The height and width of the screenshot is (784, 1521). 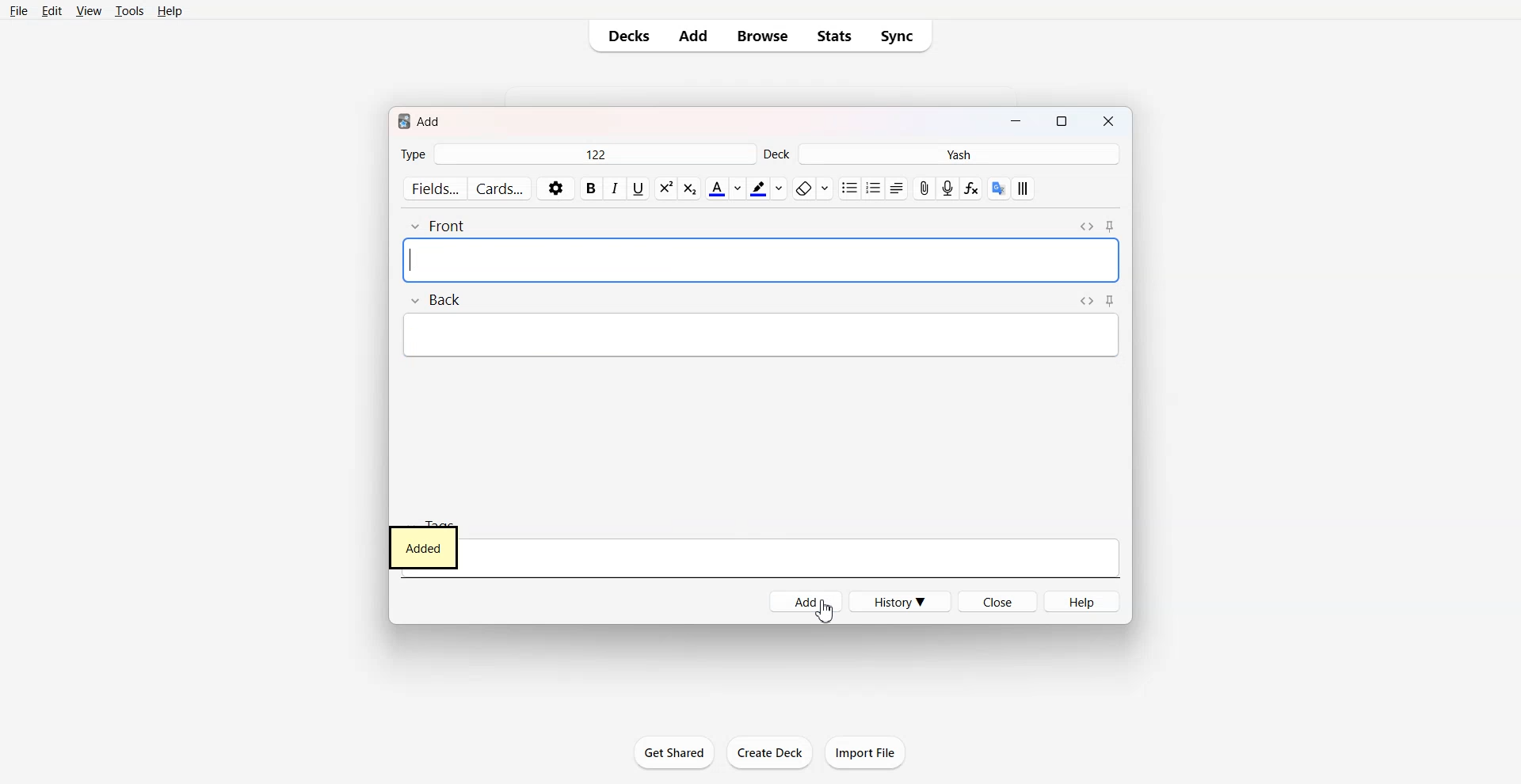 What do you see at coordinates (999, 188) in the screenshot?
I see `Google Translate` at bounding box center [999, 188].